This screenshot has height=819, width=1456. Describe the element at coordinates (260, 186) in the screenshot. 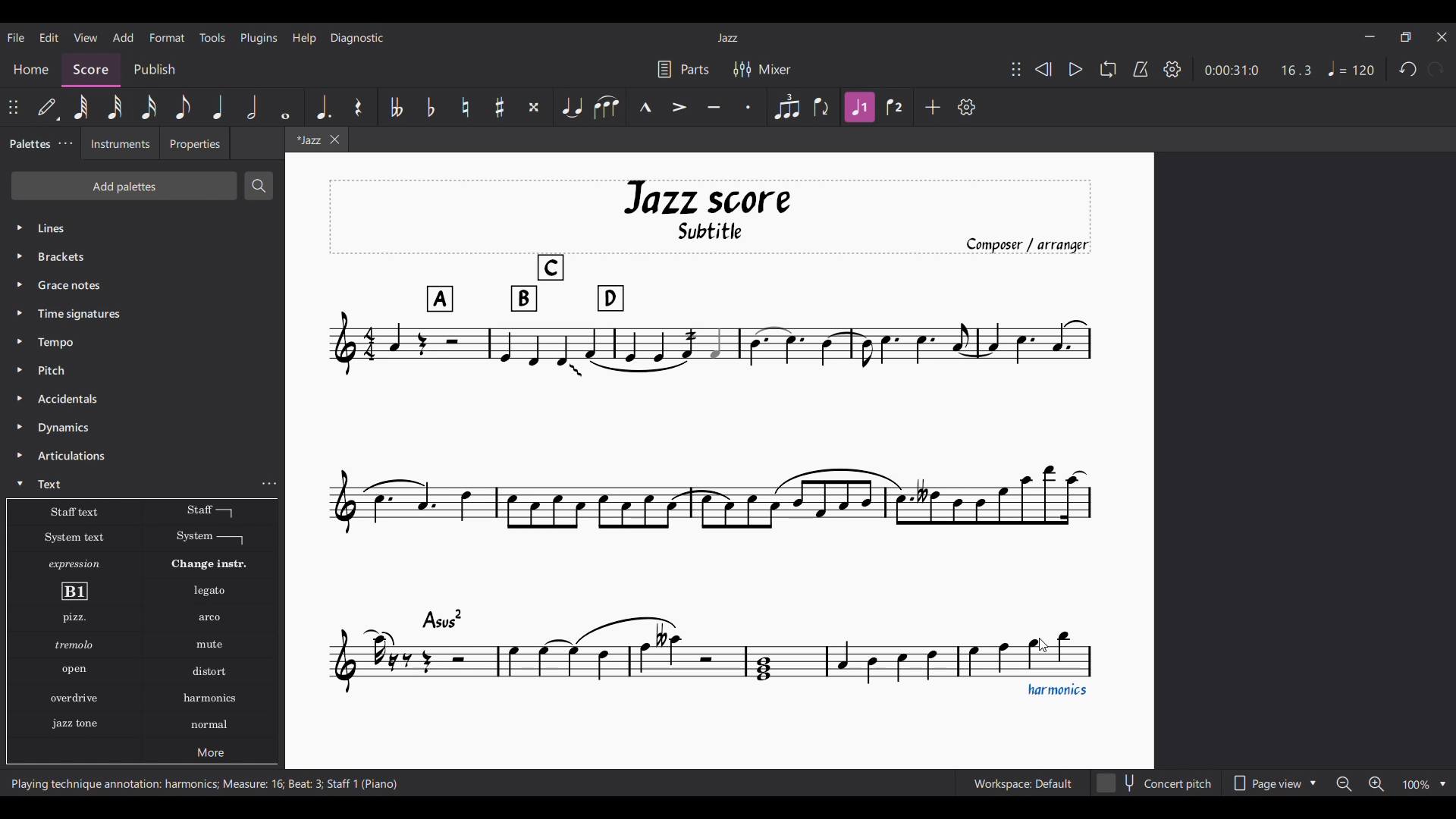

I see `Search` at that location.